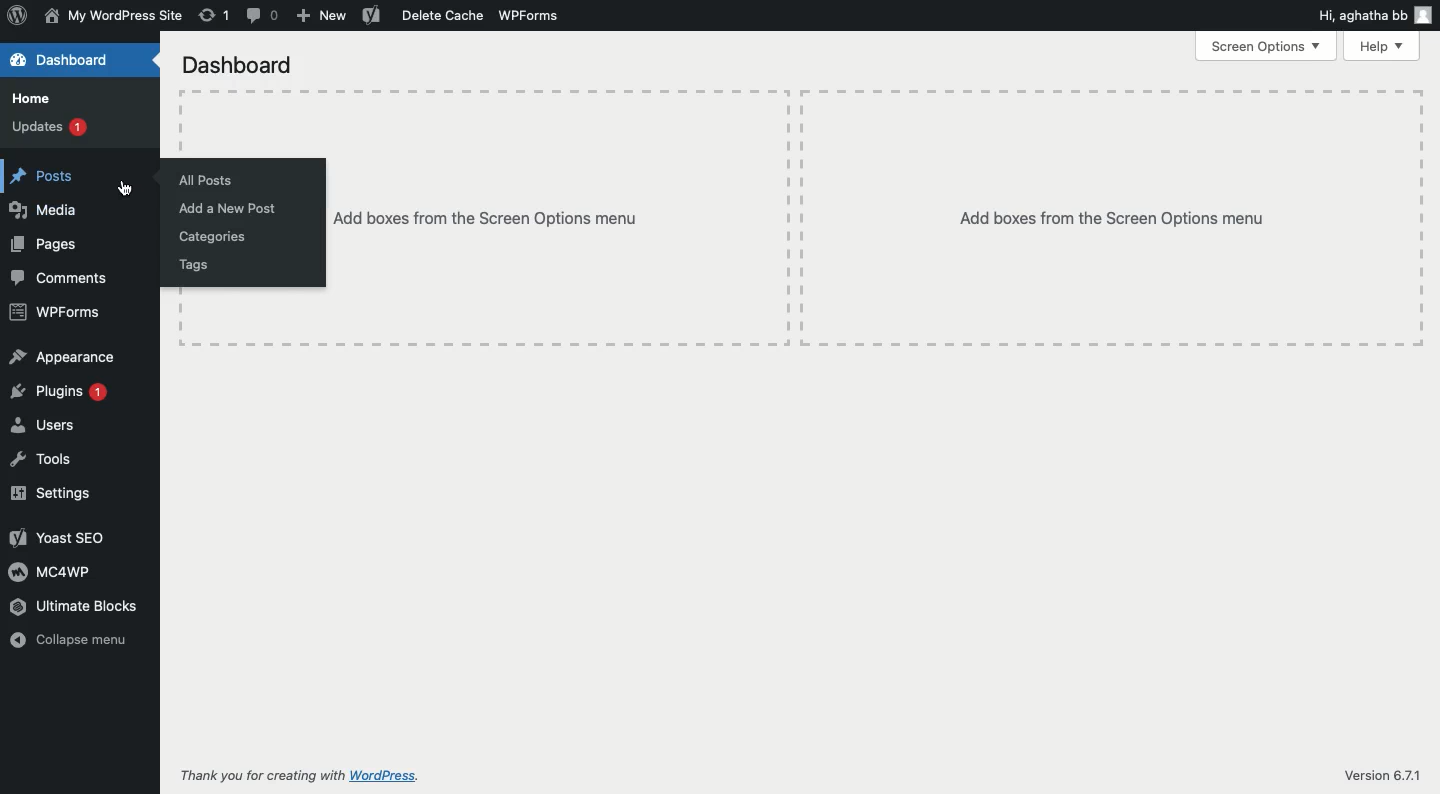 The image size is (1440, 794). What do you see at coordinates (1269, 48) in the screenshot?
I see `Screen Options` at bounding box center [1269, 48].